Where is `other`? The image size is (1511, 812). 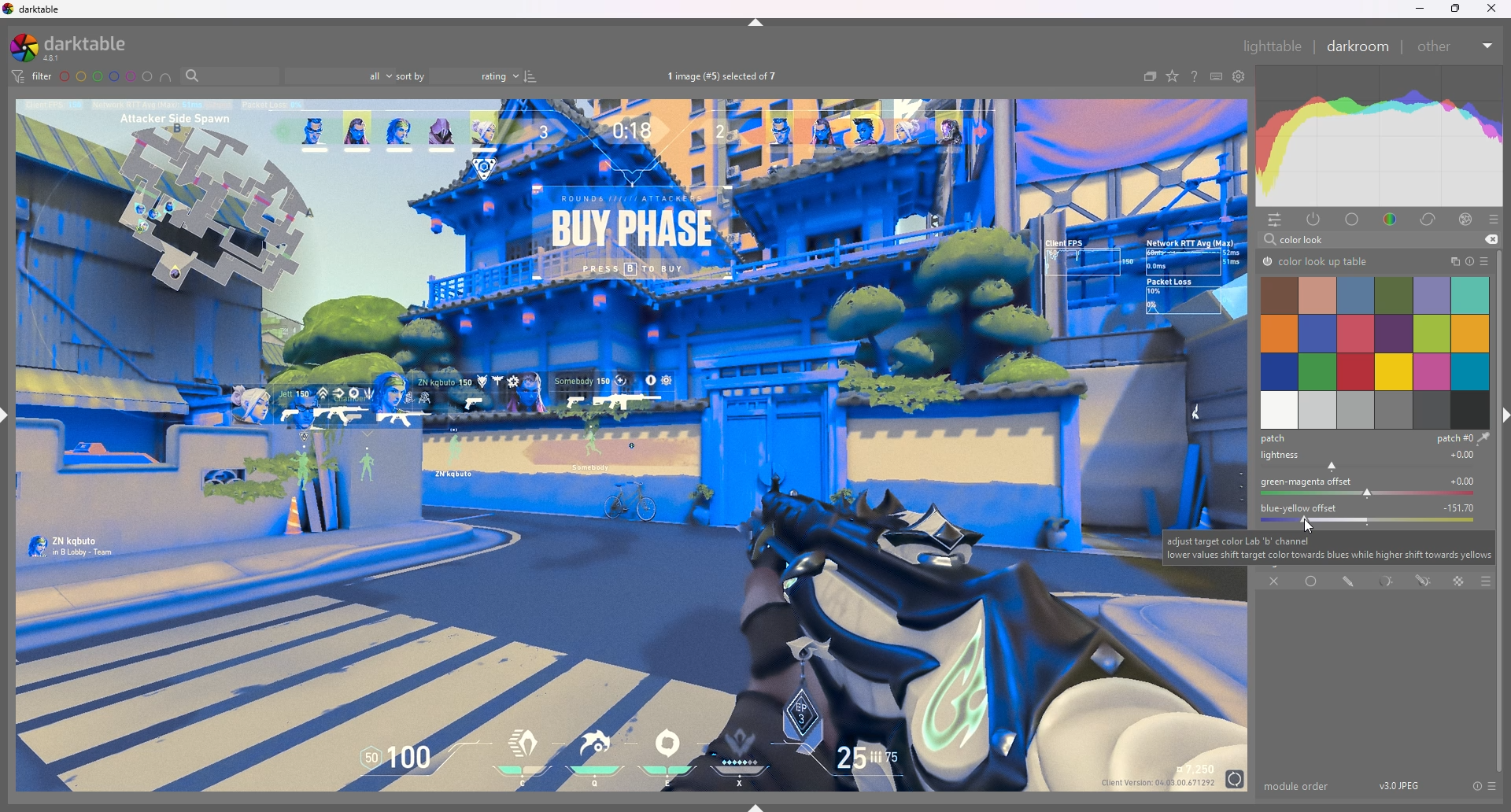
other is located at coordinates (1457, 46).